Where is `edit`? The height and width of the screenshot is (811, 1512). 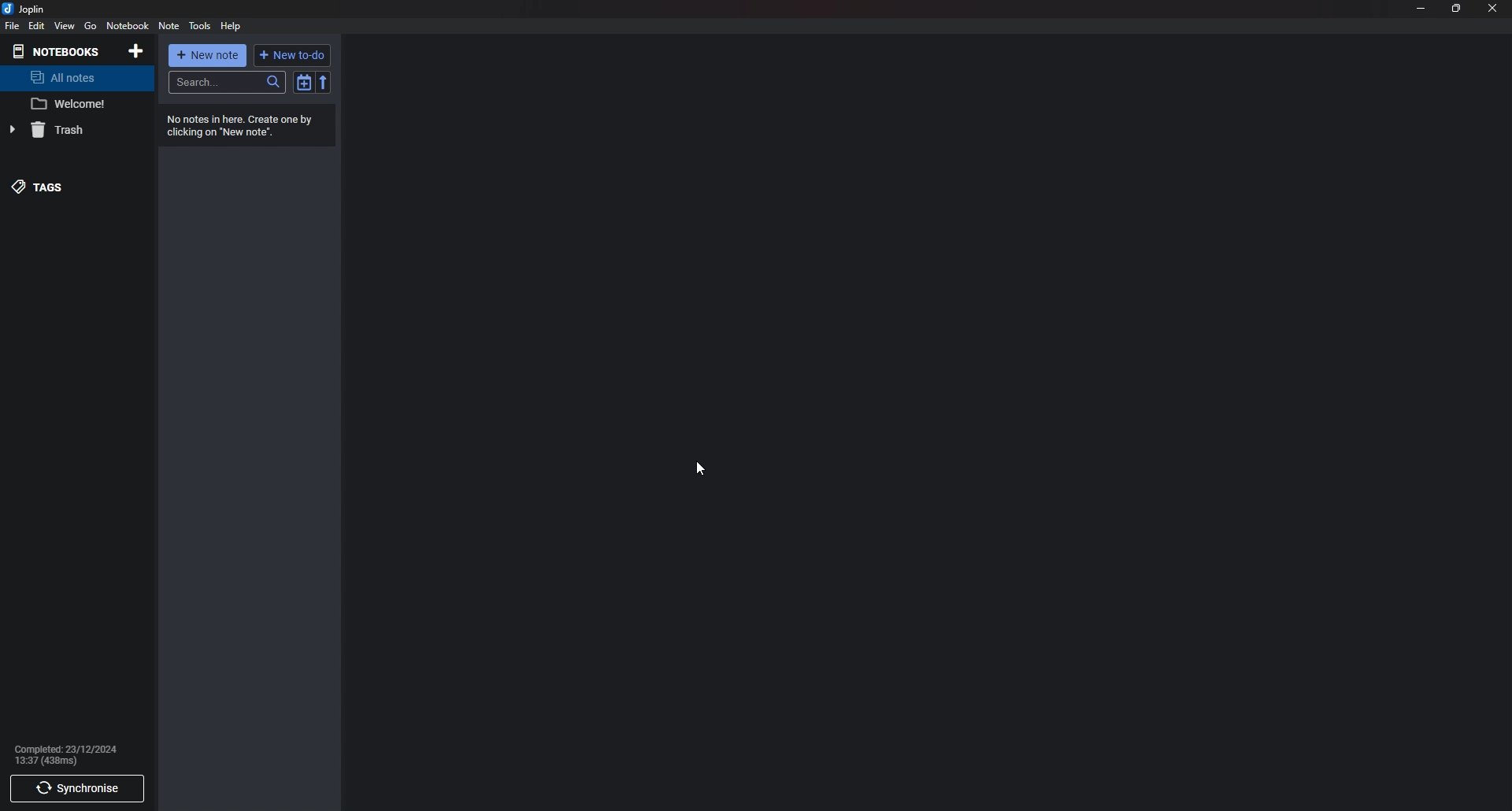 edit is located at coordinates (35, 25).